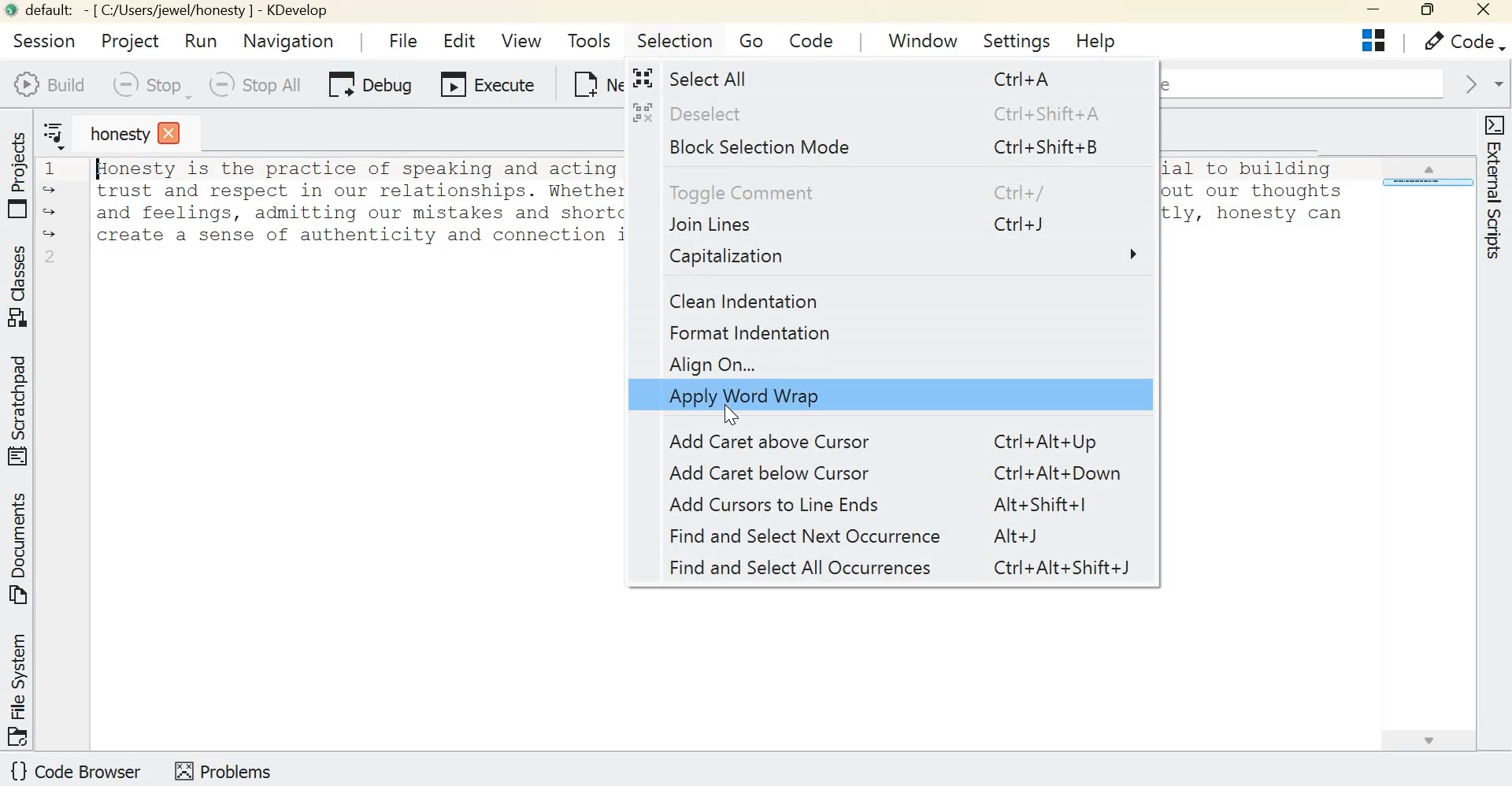 Image resolution: width=1512 pixels, height=786 pixels. I want to click on Toggle comment, so click(857, 194).